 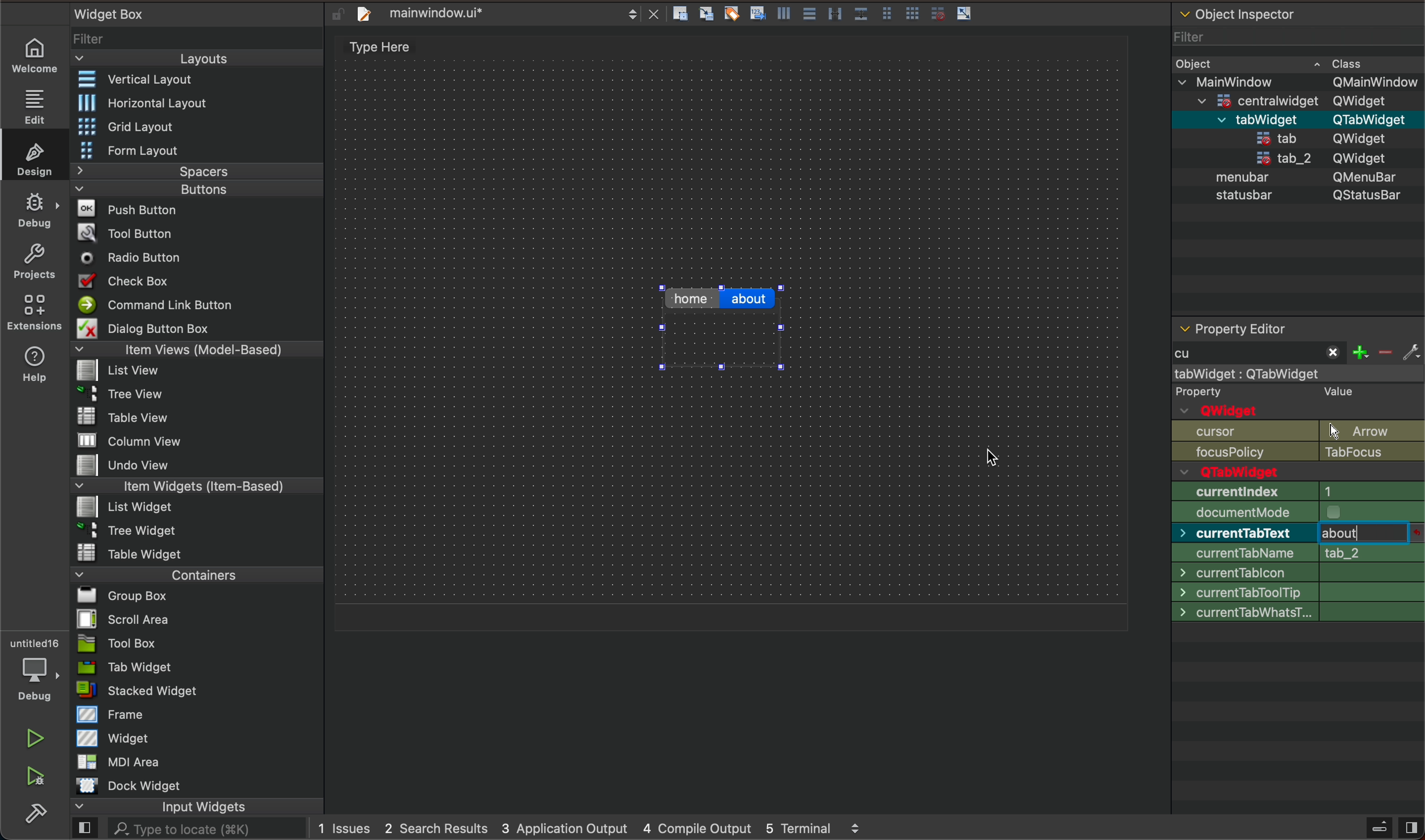 I want to click on Table View, so click(x=109, y=413).